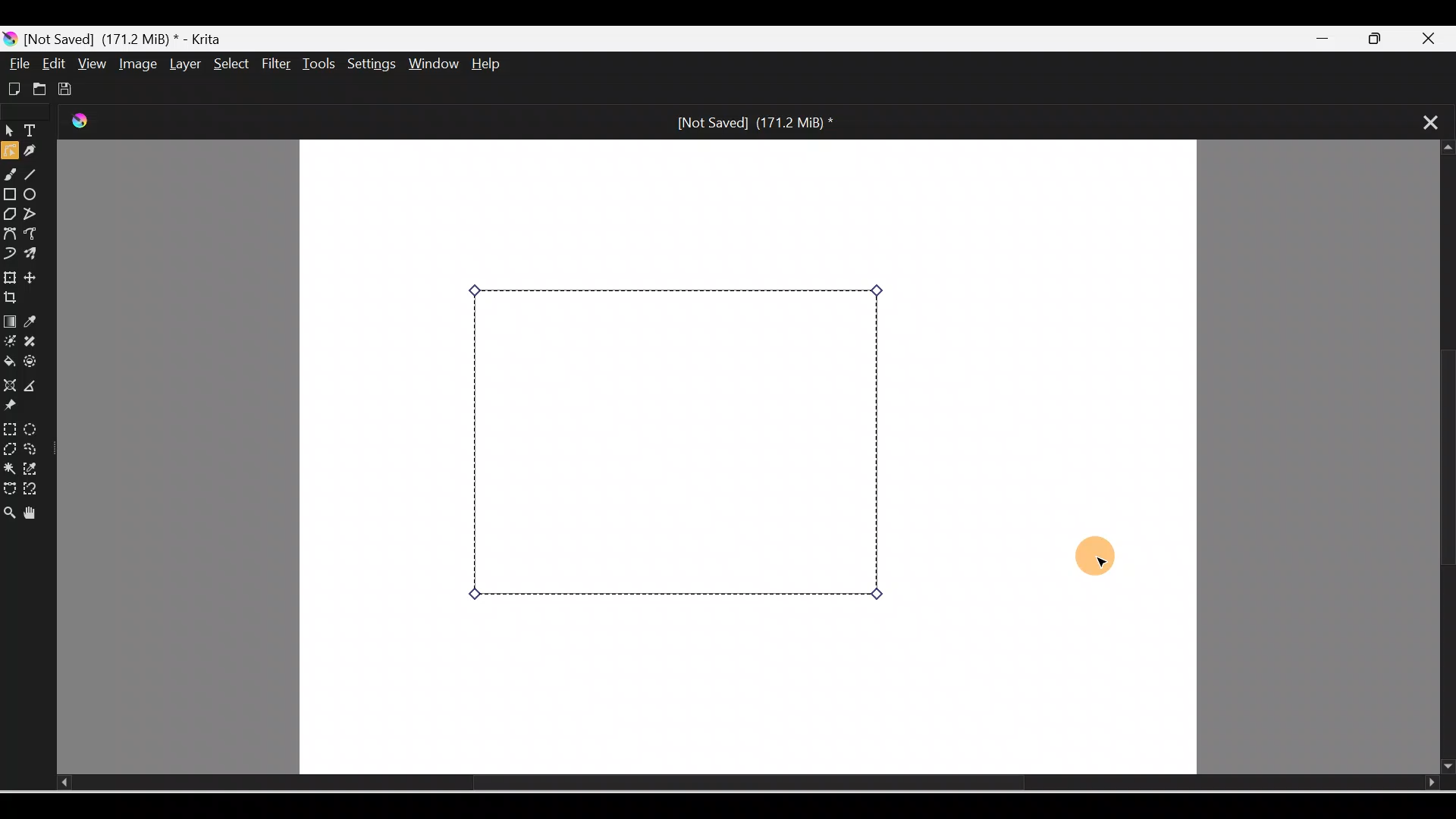  I want to click on Bezier curve selection tool, so click(9, 485).